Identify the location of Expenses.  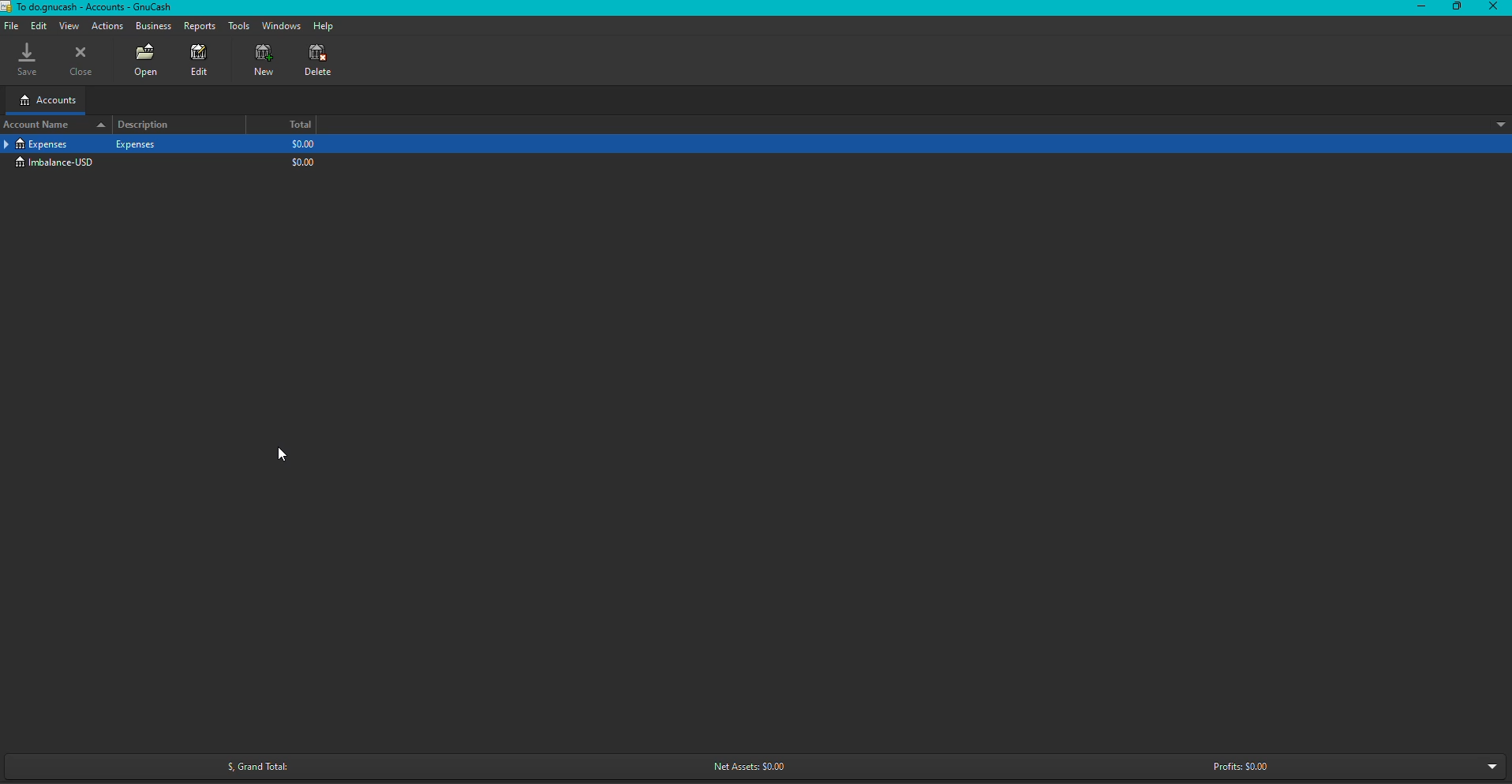
(138, 144).